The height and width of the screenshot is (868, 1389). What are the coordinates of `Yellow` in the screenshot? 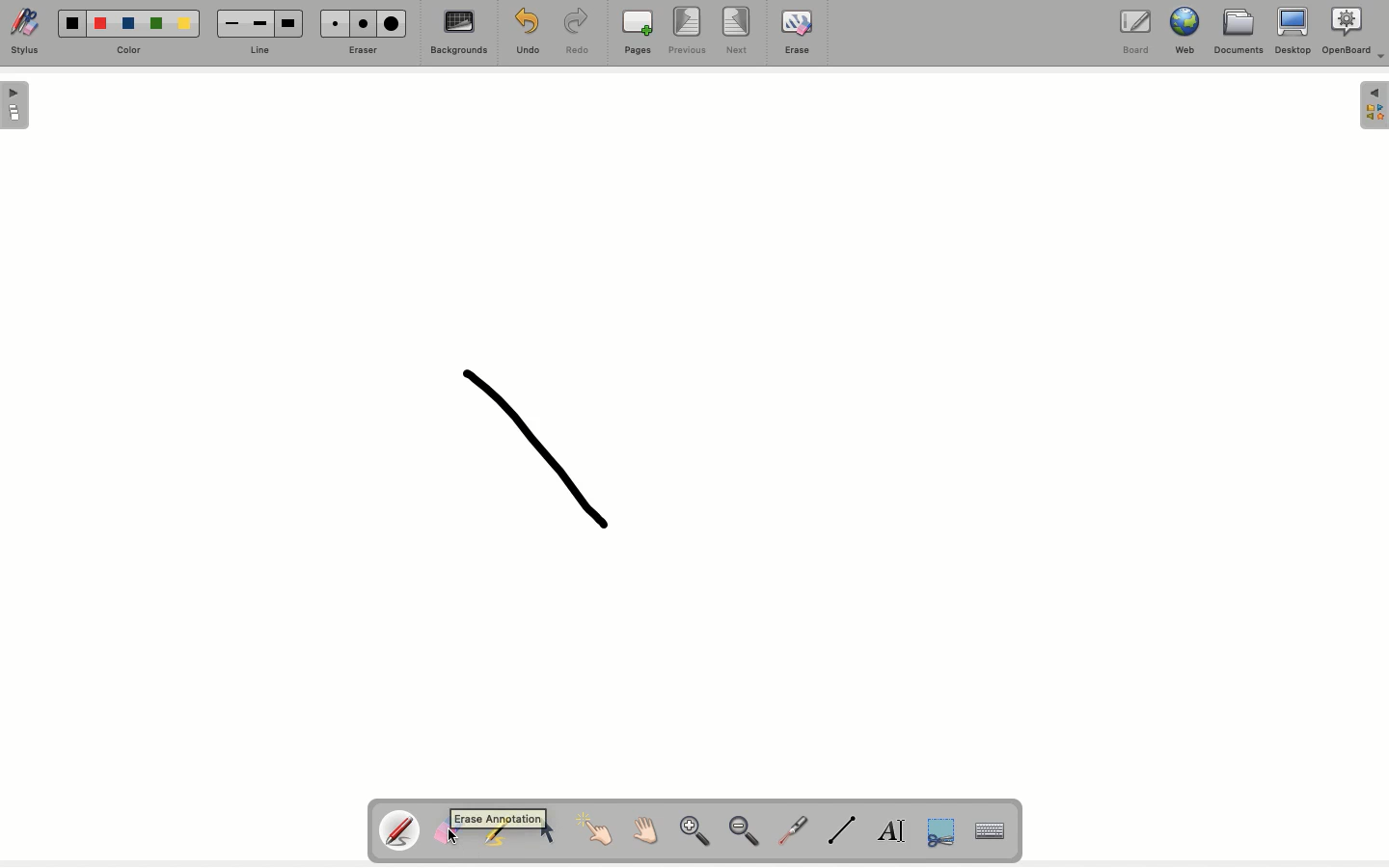 It's located at (187, 26).